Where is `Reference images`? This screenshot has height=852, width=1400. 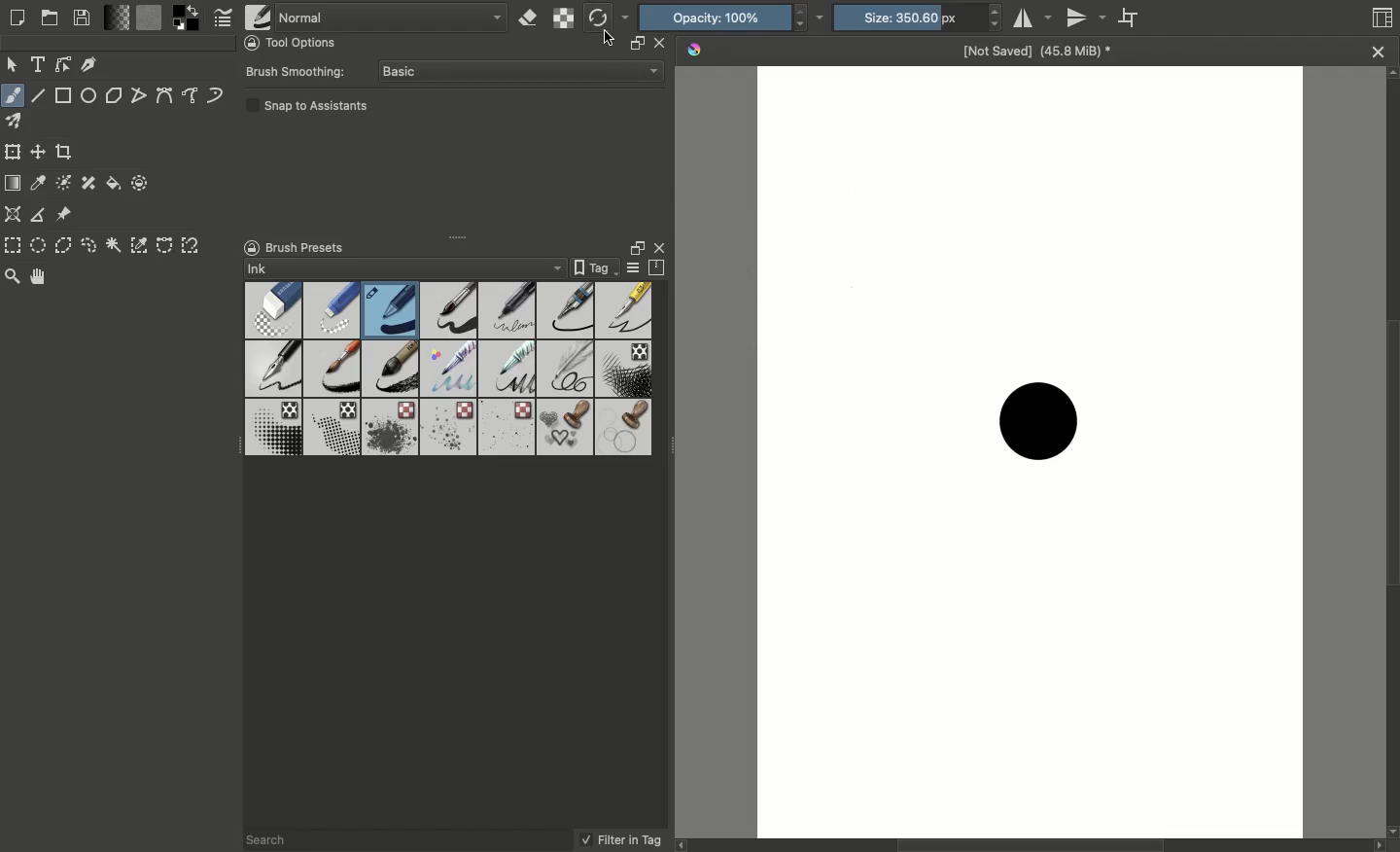 Reference images is located at coordinates (65, 215).